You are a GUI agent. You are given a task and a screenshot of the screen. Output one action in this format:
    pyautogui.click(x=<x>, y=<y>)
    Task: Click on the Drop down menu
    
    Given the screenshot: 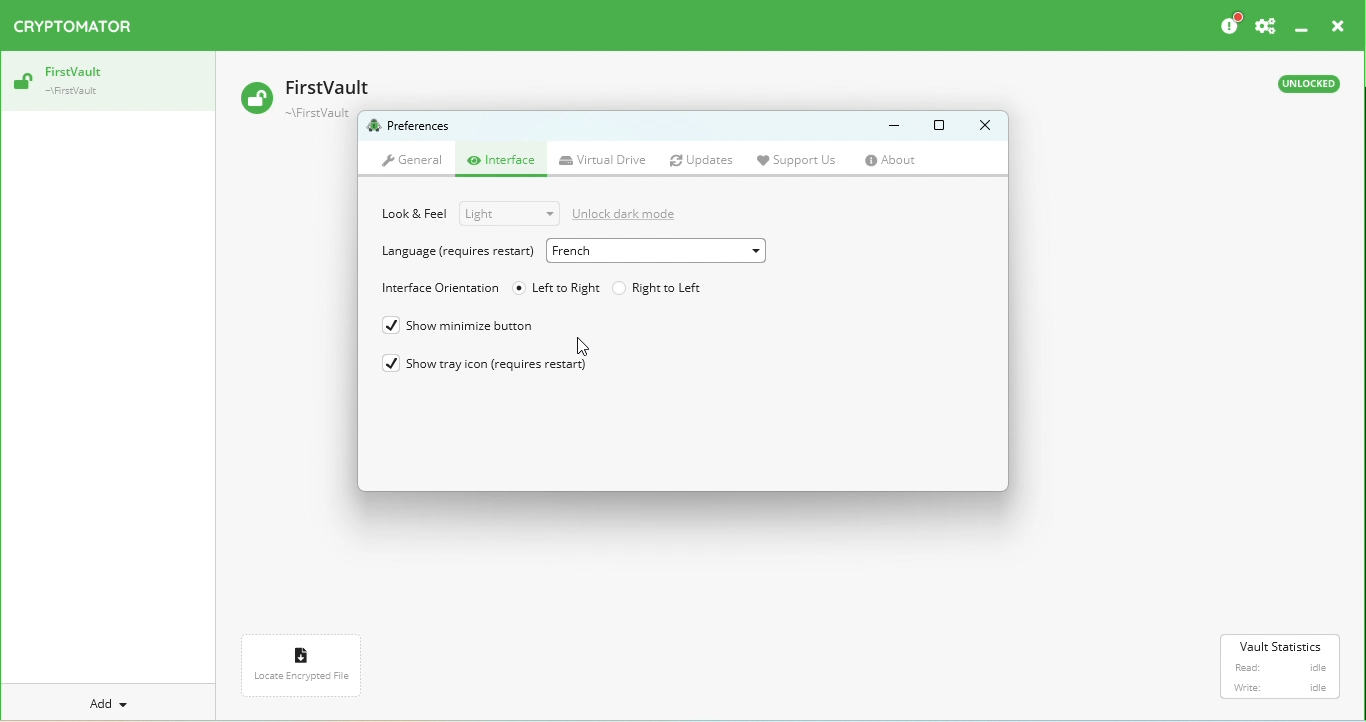 What is the action you would take?
    pyautogui.click(x=654, y=251)
    